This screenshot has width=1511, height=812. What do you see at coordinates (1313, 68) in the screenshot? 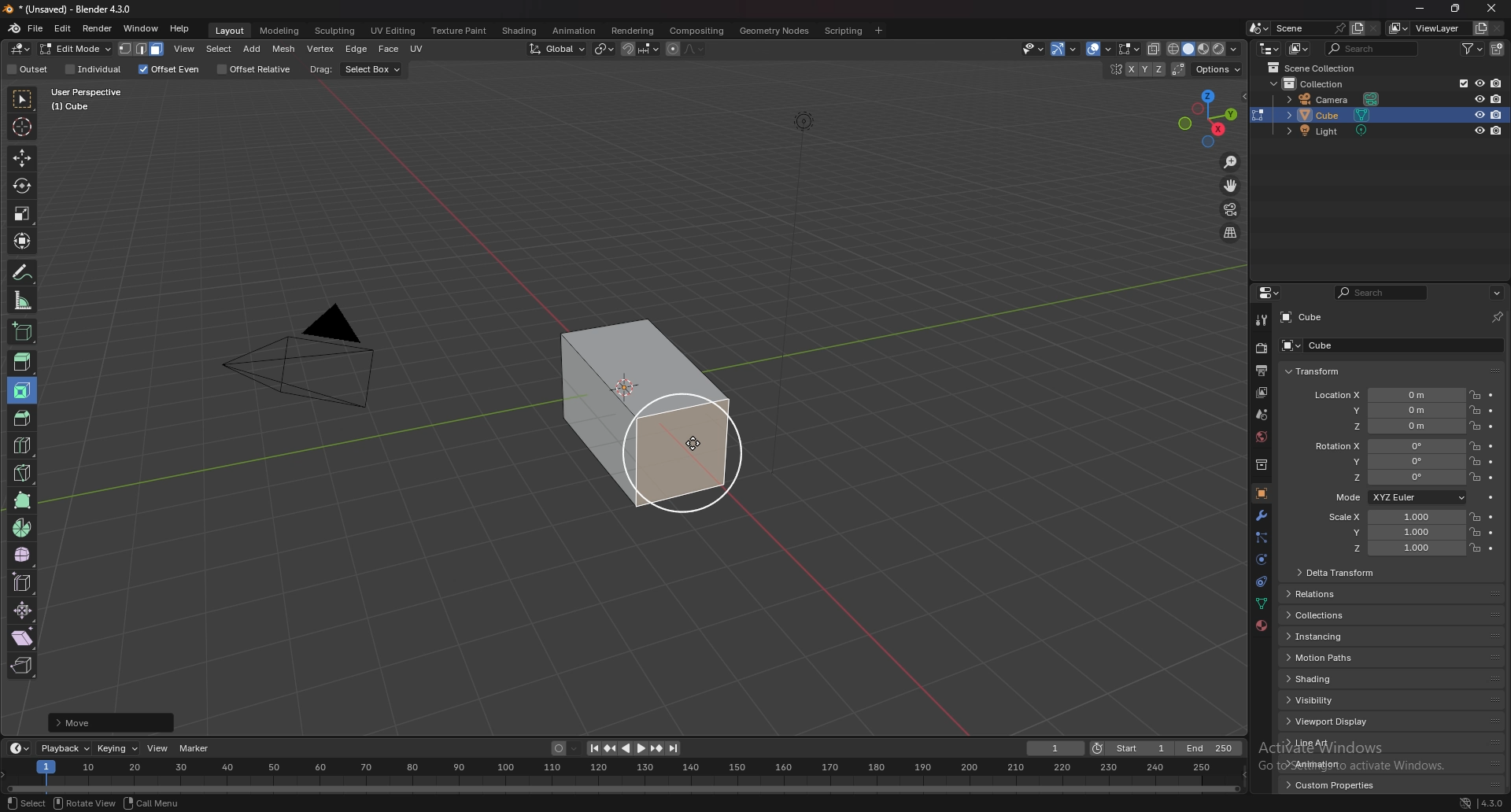
I see `scene collection` at bounding box center [1313, 68].